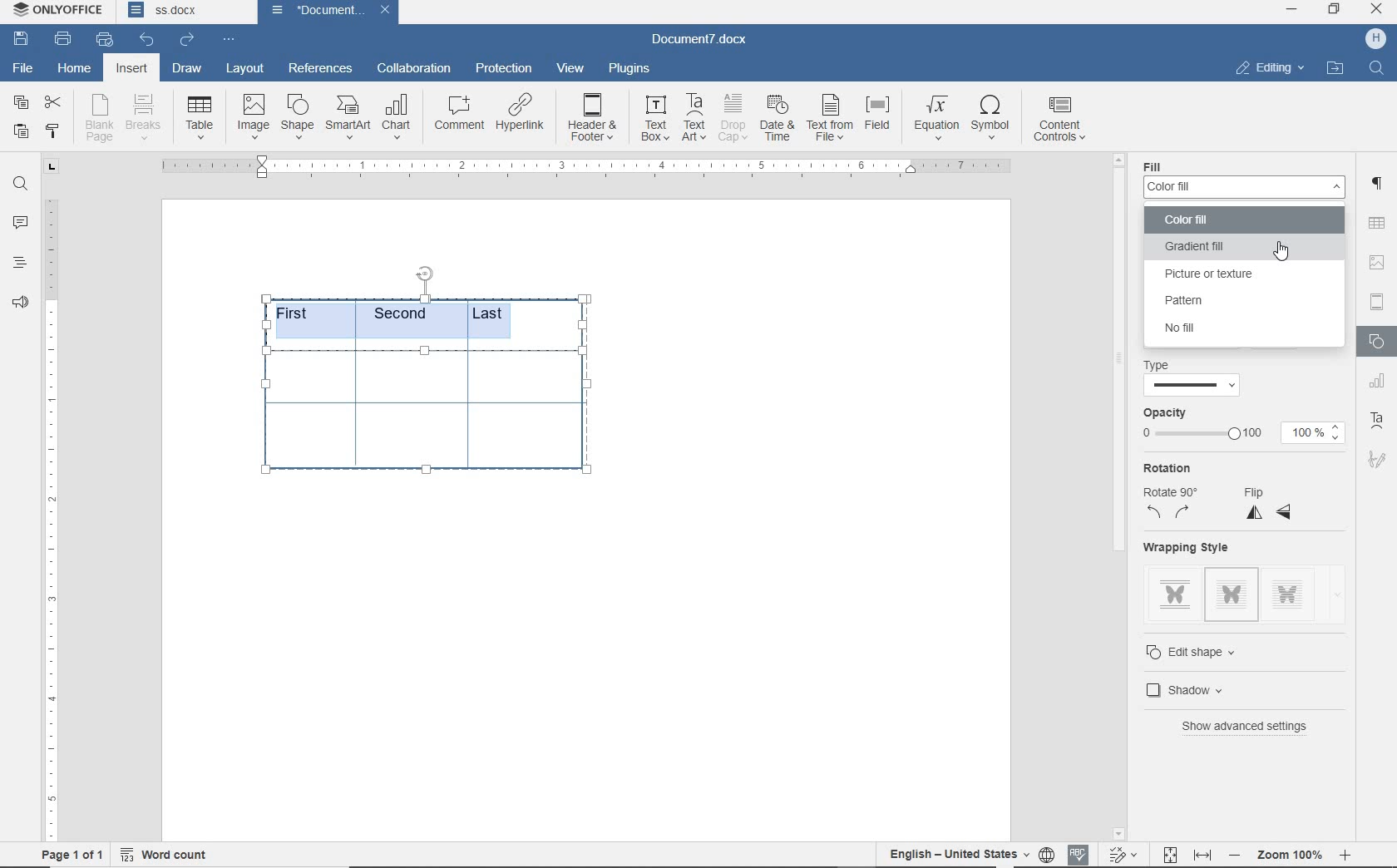 This screenshot has height=868, width=1397. What do you see at coordinates (584, 165) in the screenshot?
I see `ruler` at bounding box center [584, 165].